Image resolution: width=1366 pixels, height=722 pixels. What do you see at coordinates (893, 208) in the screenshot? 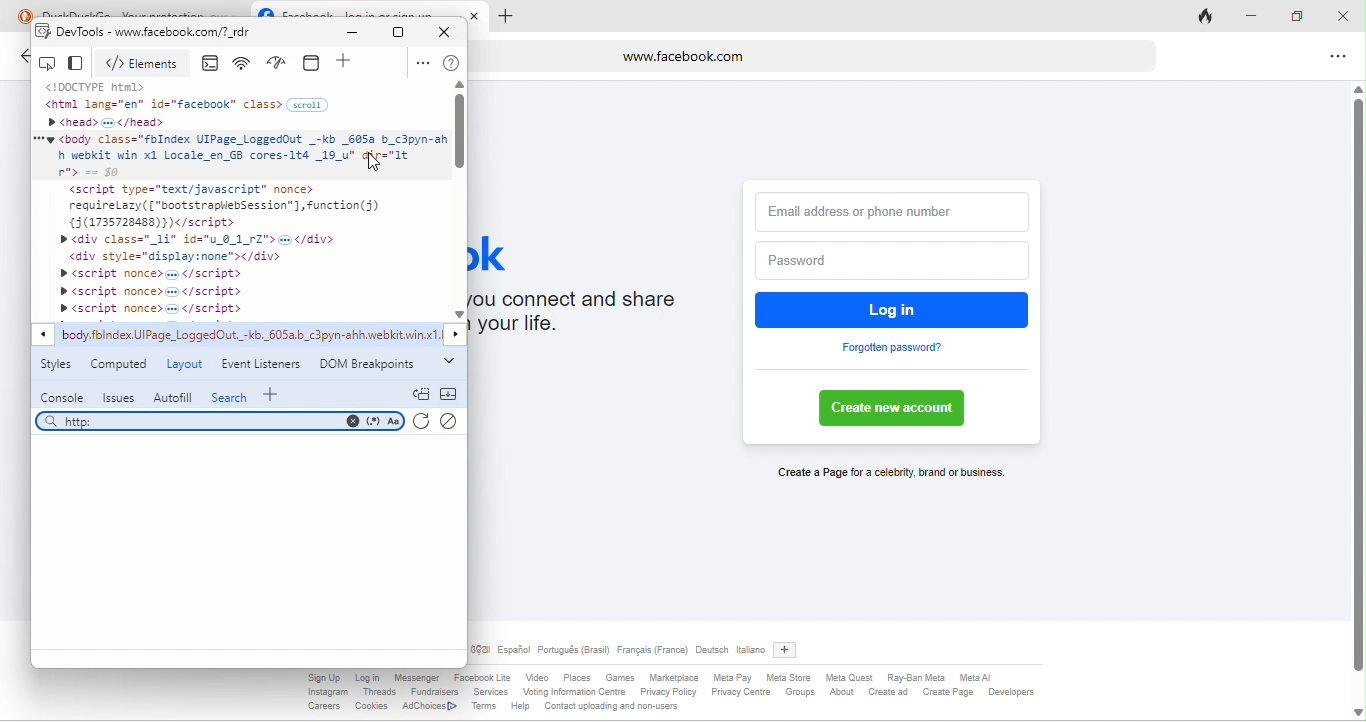
I see `email address` at bounding box center [893, 208].